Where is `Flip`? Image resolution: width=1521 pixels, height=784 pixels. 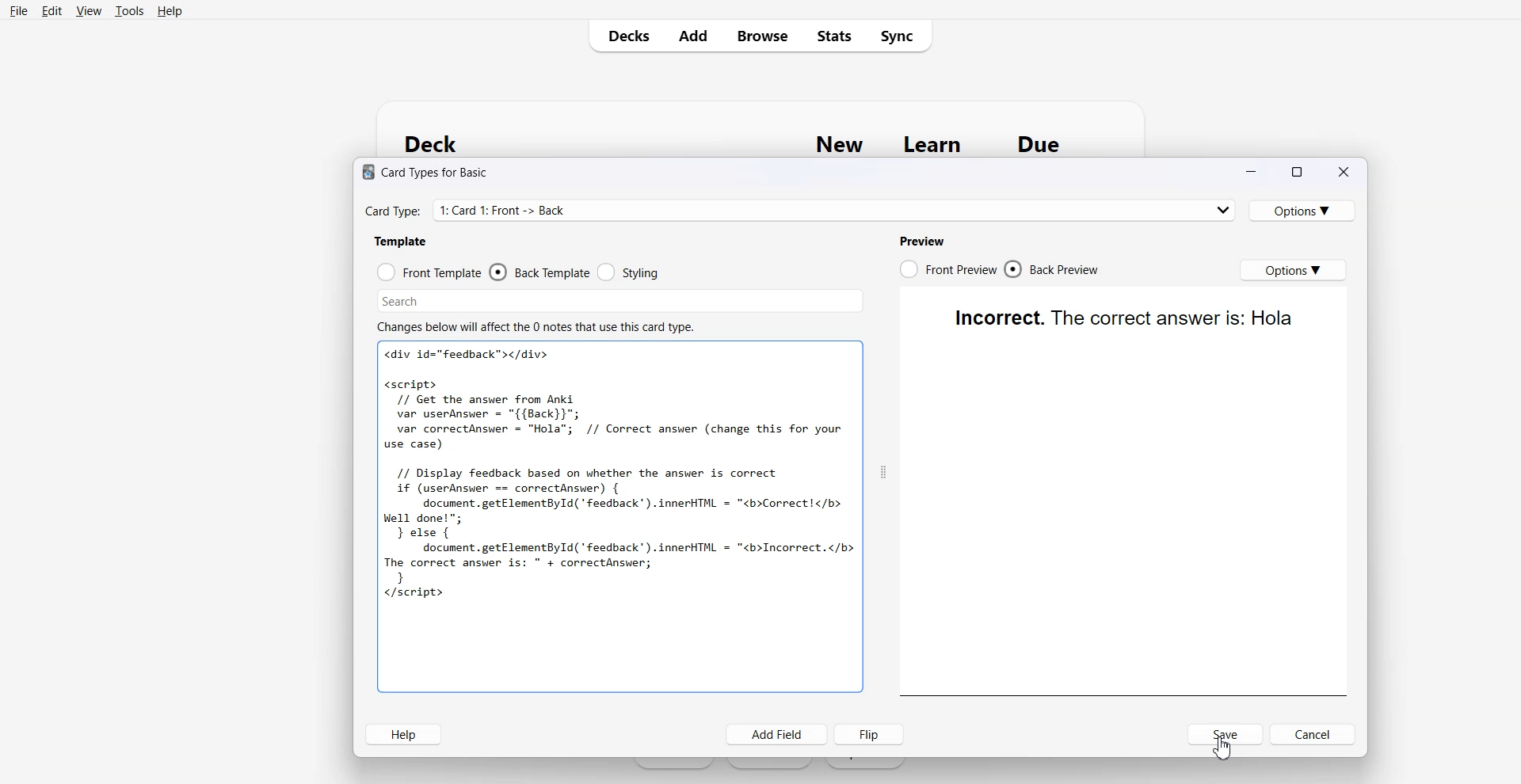
Flip is located at coordinates (869, 734).